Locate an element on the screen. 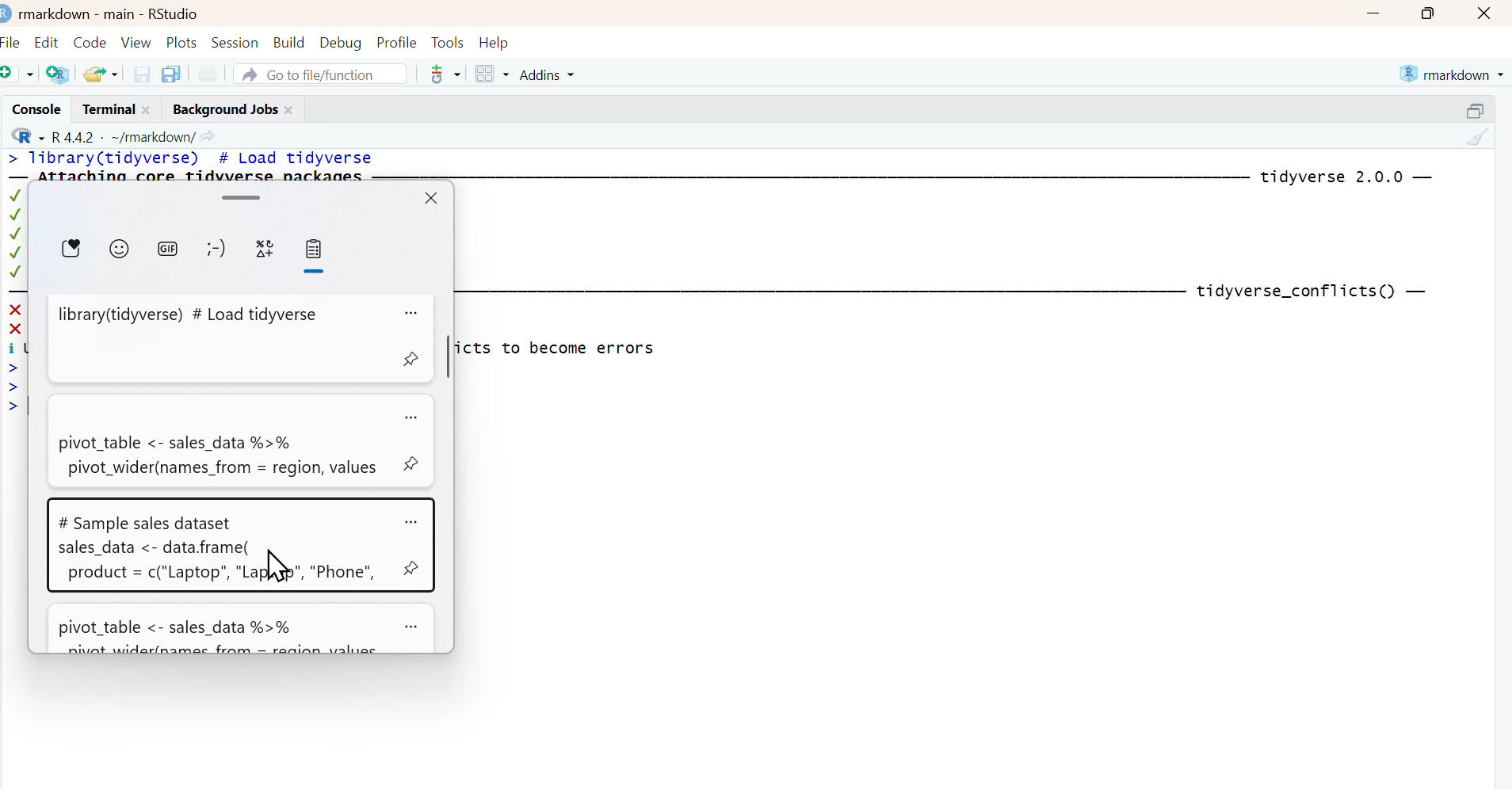 Image resolution: width=1512 pixels, height=789 pixels. Profile is located at coordinates (396, 40).